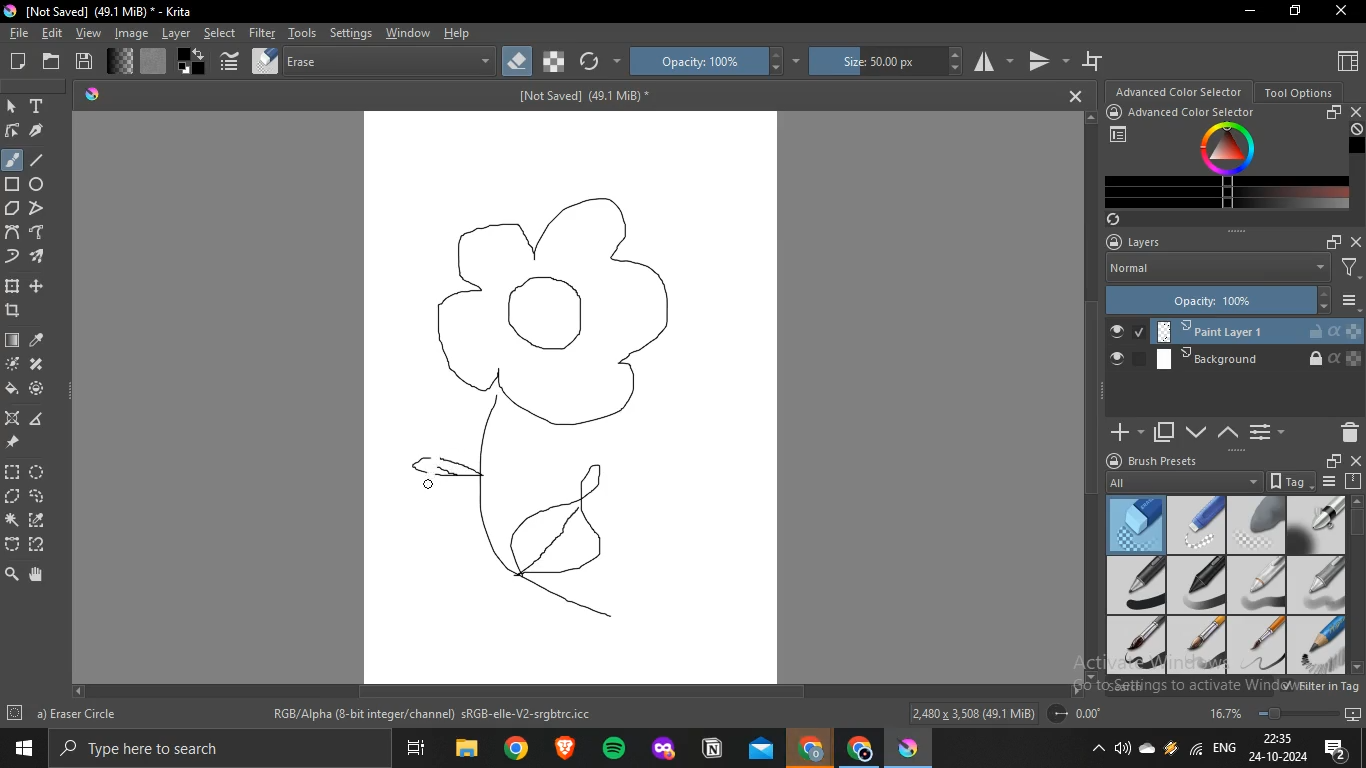  I want to click on Undefined, so click(1357, 130).